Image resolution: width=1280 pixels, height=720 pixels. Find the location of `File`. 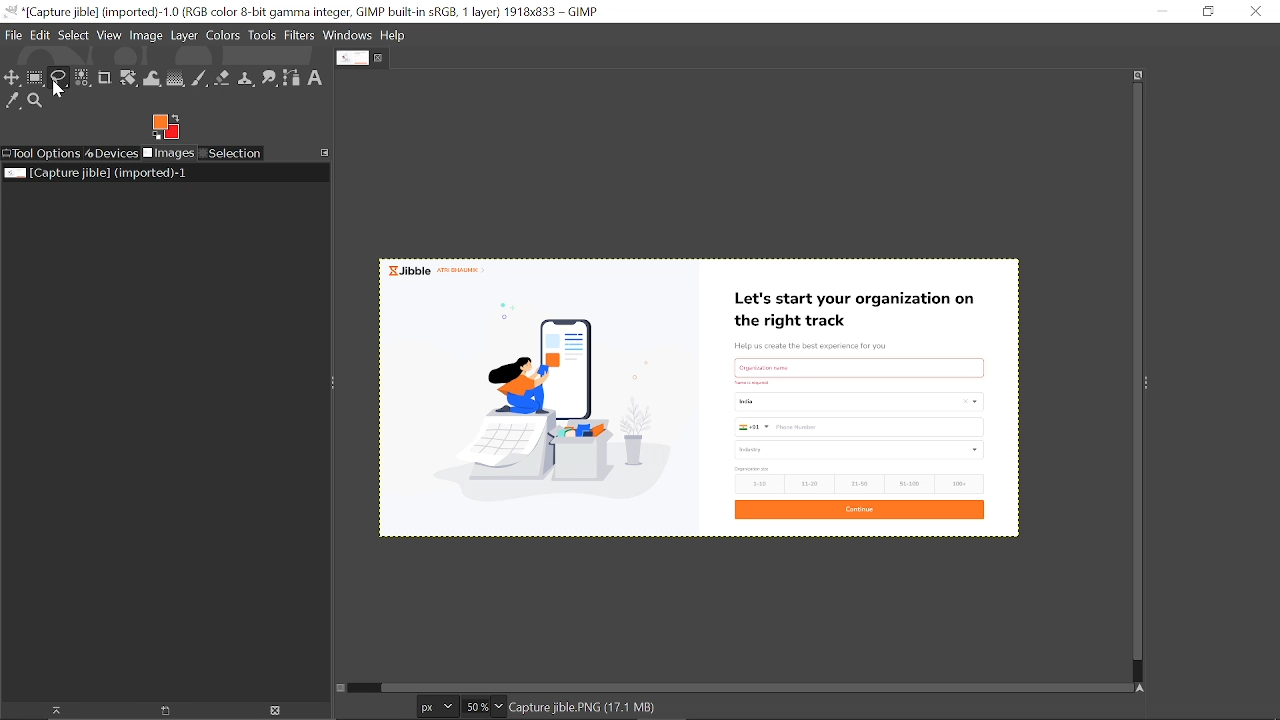

File is located at coordinates (13, 35).